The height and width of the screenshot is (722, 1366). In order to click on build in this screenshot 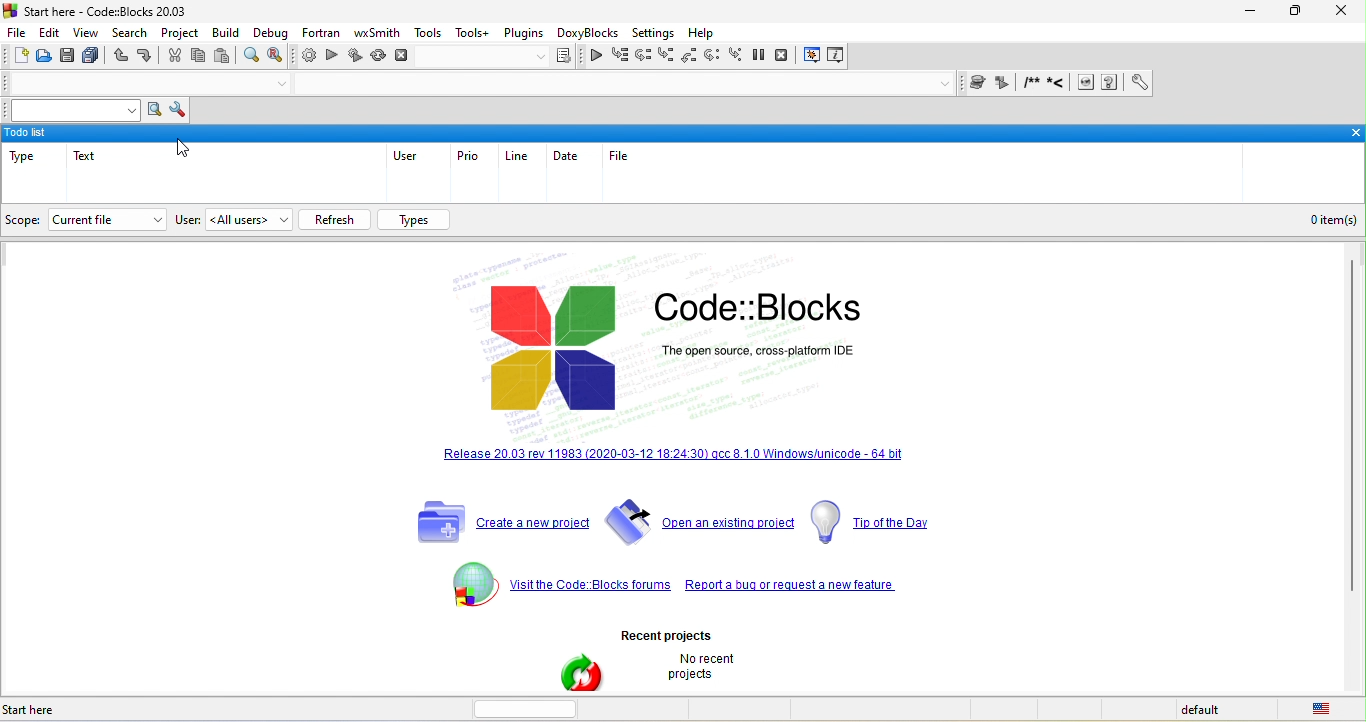, I will do `click(228, 35)`.